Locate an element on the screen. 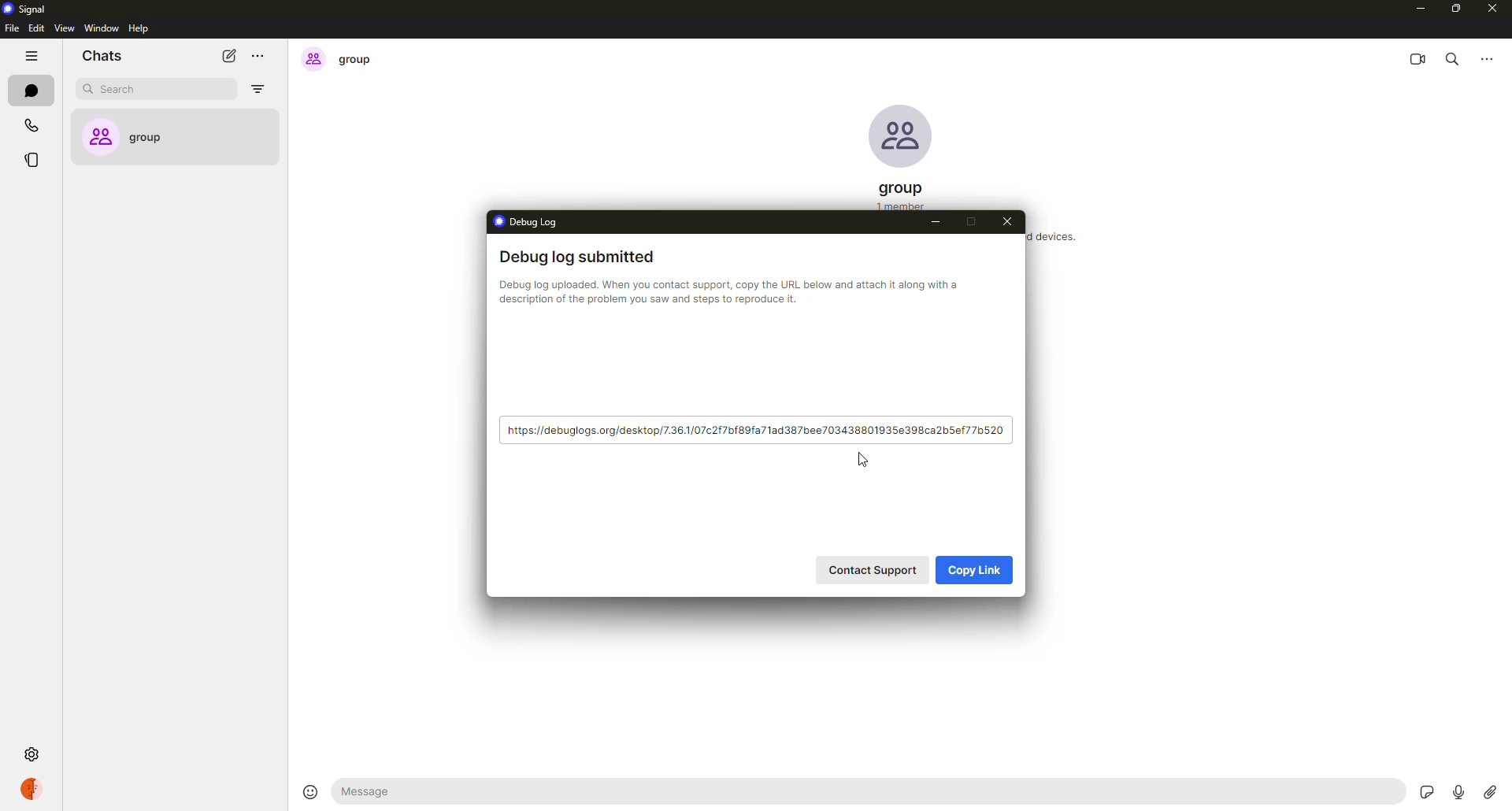  group is located at coordinates (339, 60).